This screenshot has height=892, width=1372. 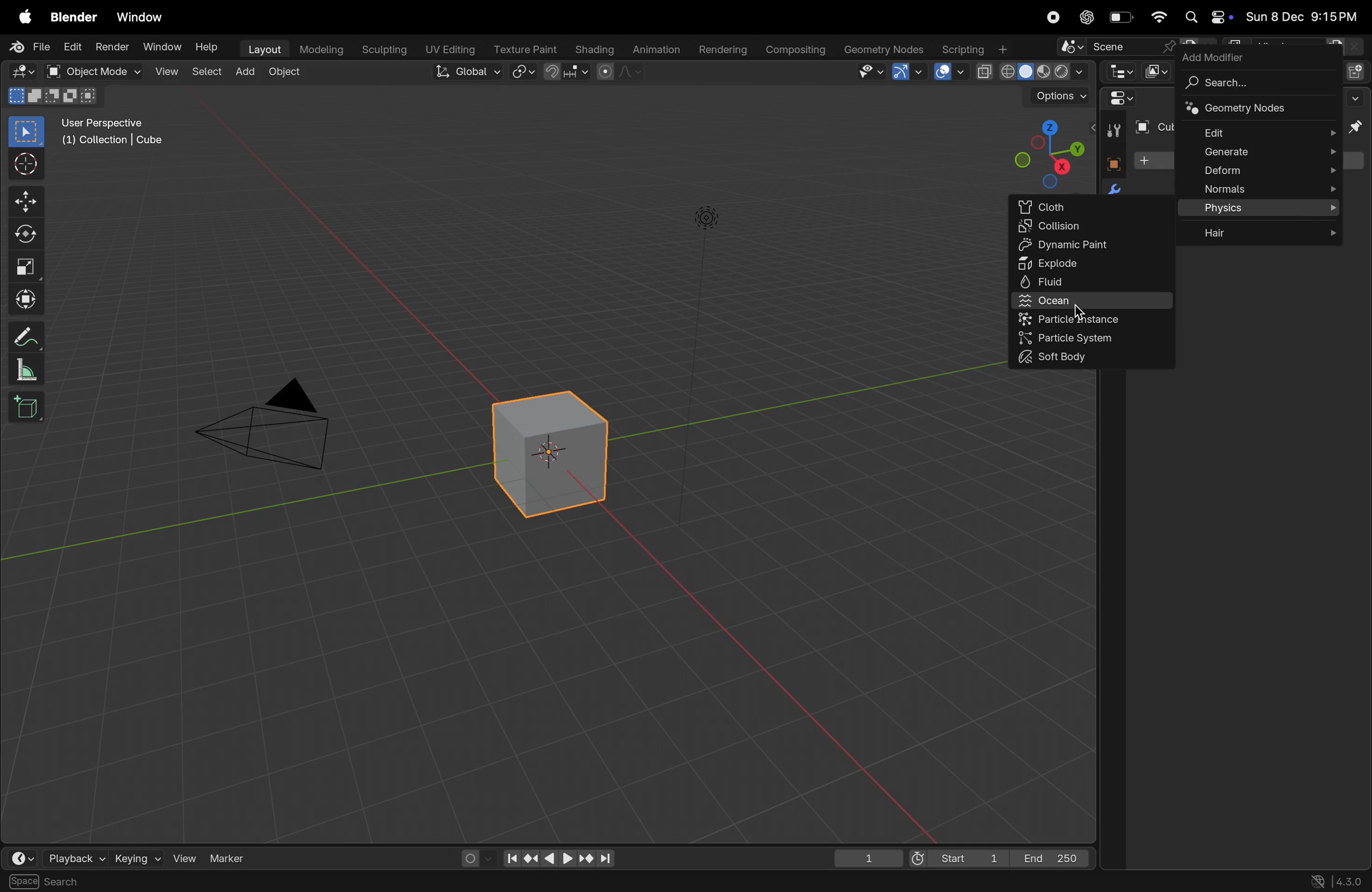 What do you see at coordinates (1095, 338) in the screenshot?
I see `particle system` at bounding box center [1095, 338].